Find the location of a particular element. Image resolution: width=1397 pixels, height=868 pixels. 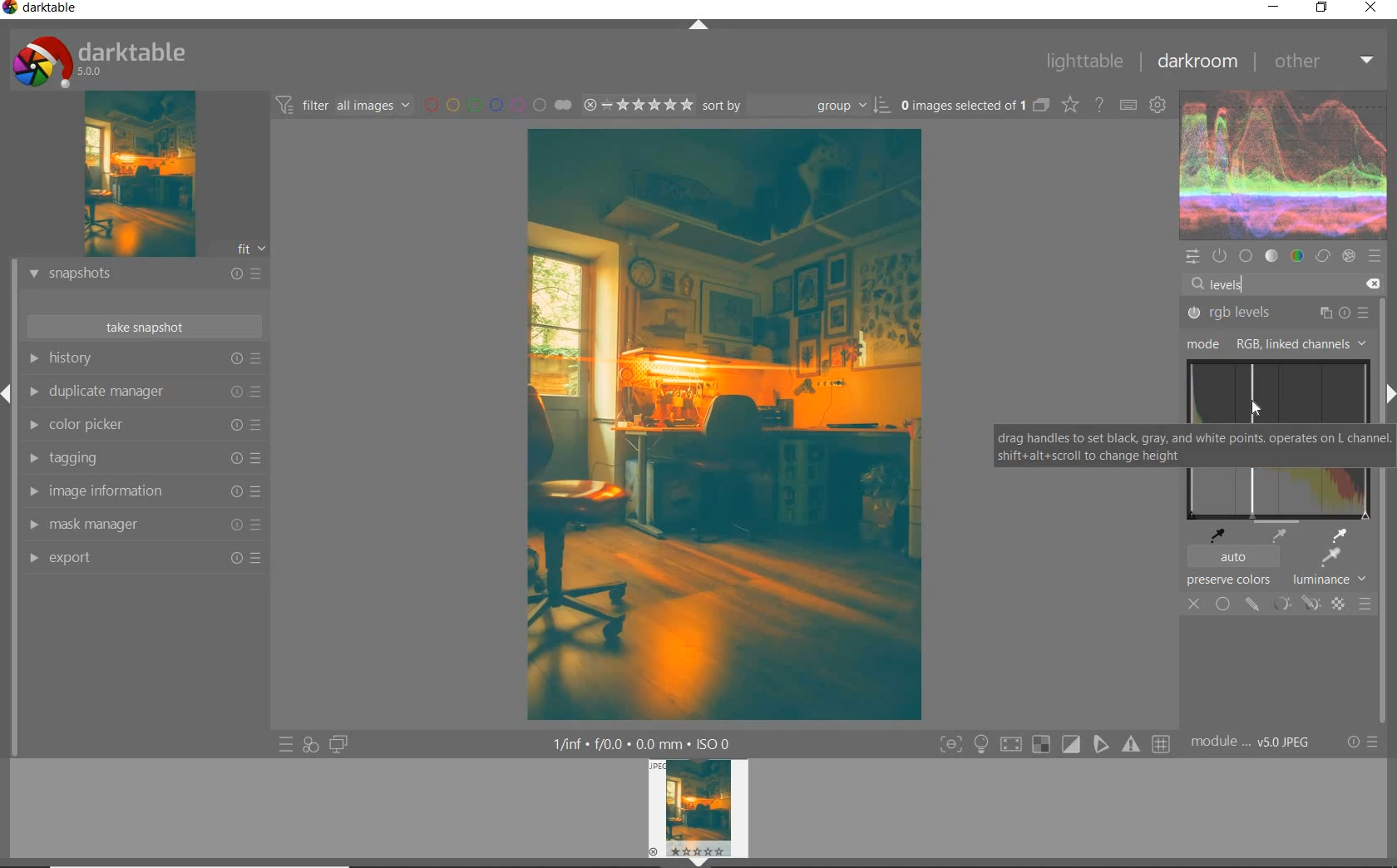

filter images based on their modules is located at coordinates (343, 105).